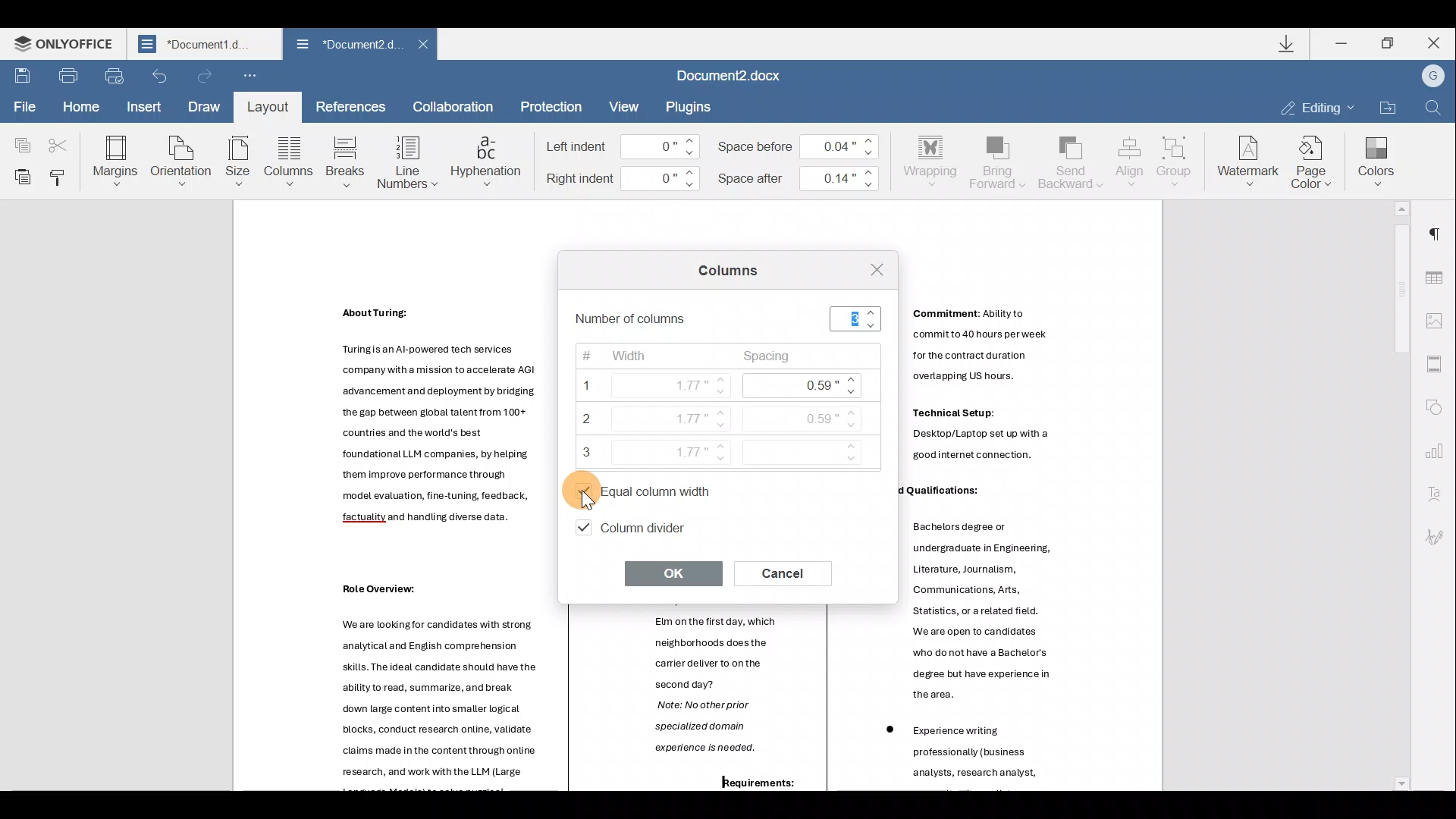  I want to click on Document2.docx, so click(739, 77).